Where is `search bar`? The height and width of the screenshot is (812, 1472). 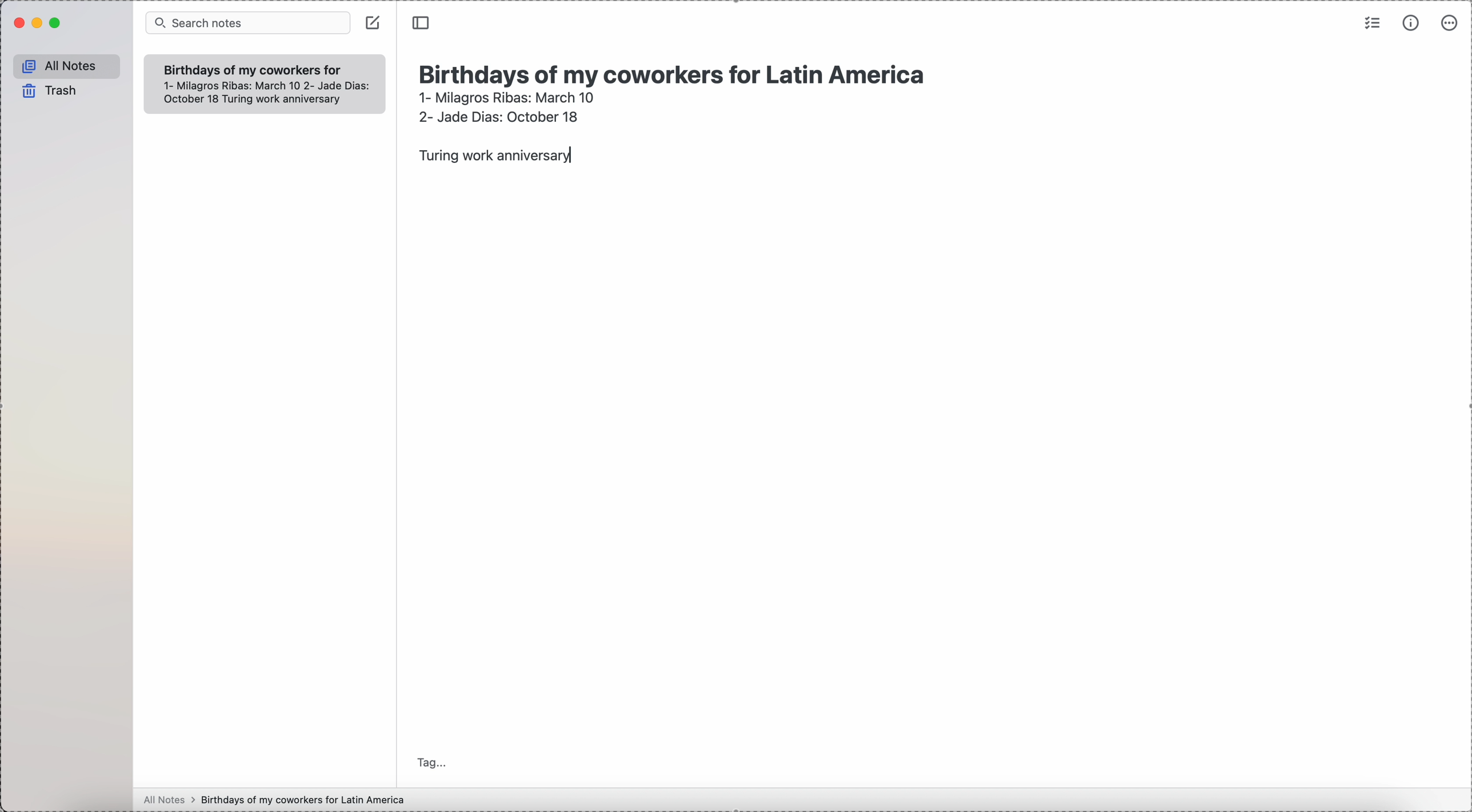 search bar is located at coordinates (247, 23).